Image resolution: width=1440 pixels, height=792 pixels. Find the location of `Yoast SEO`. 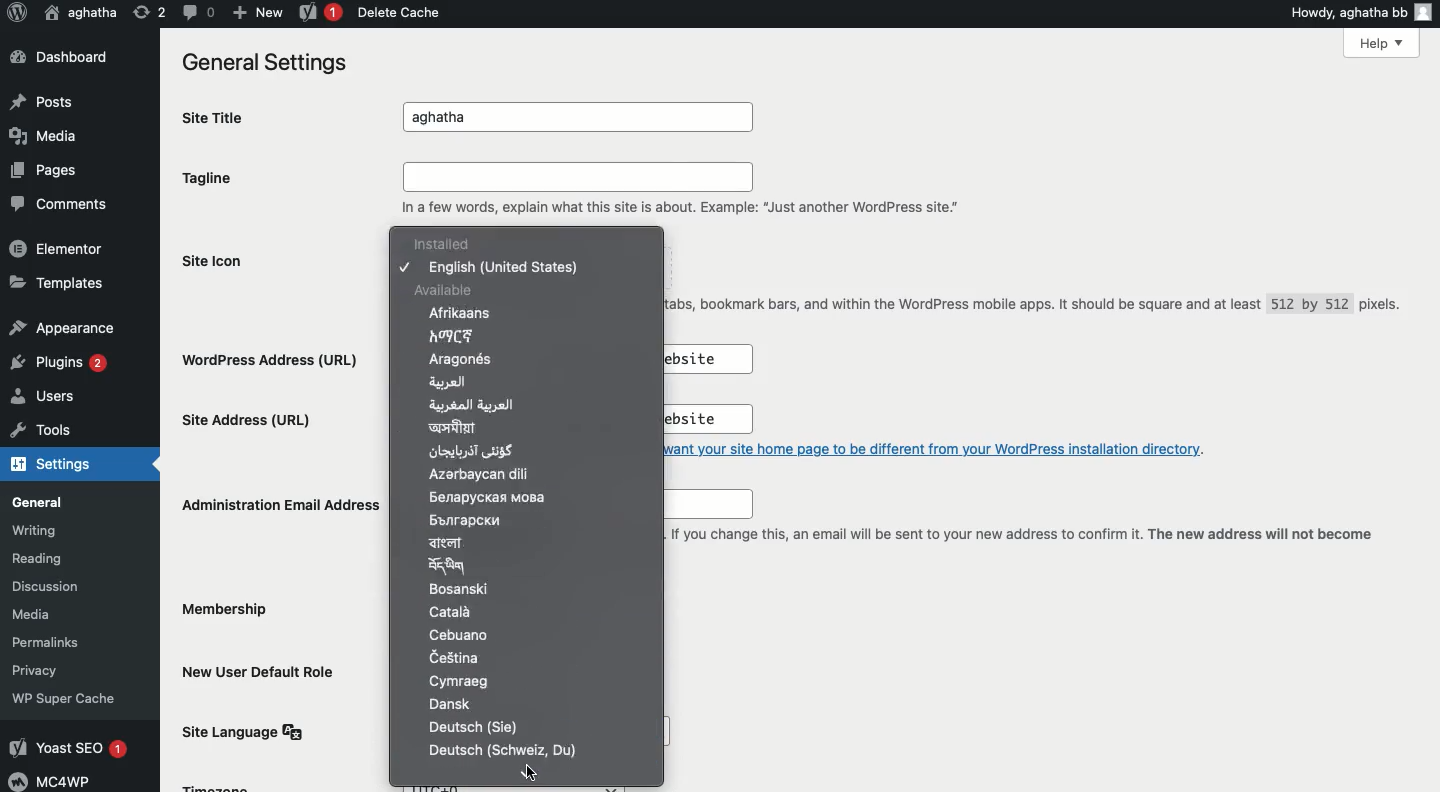

Yoast SEO is located at coordinates (72, 749).